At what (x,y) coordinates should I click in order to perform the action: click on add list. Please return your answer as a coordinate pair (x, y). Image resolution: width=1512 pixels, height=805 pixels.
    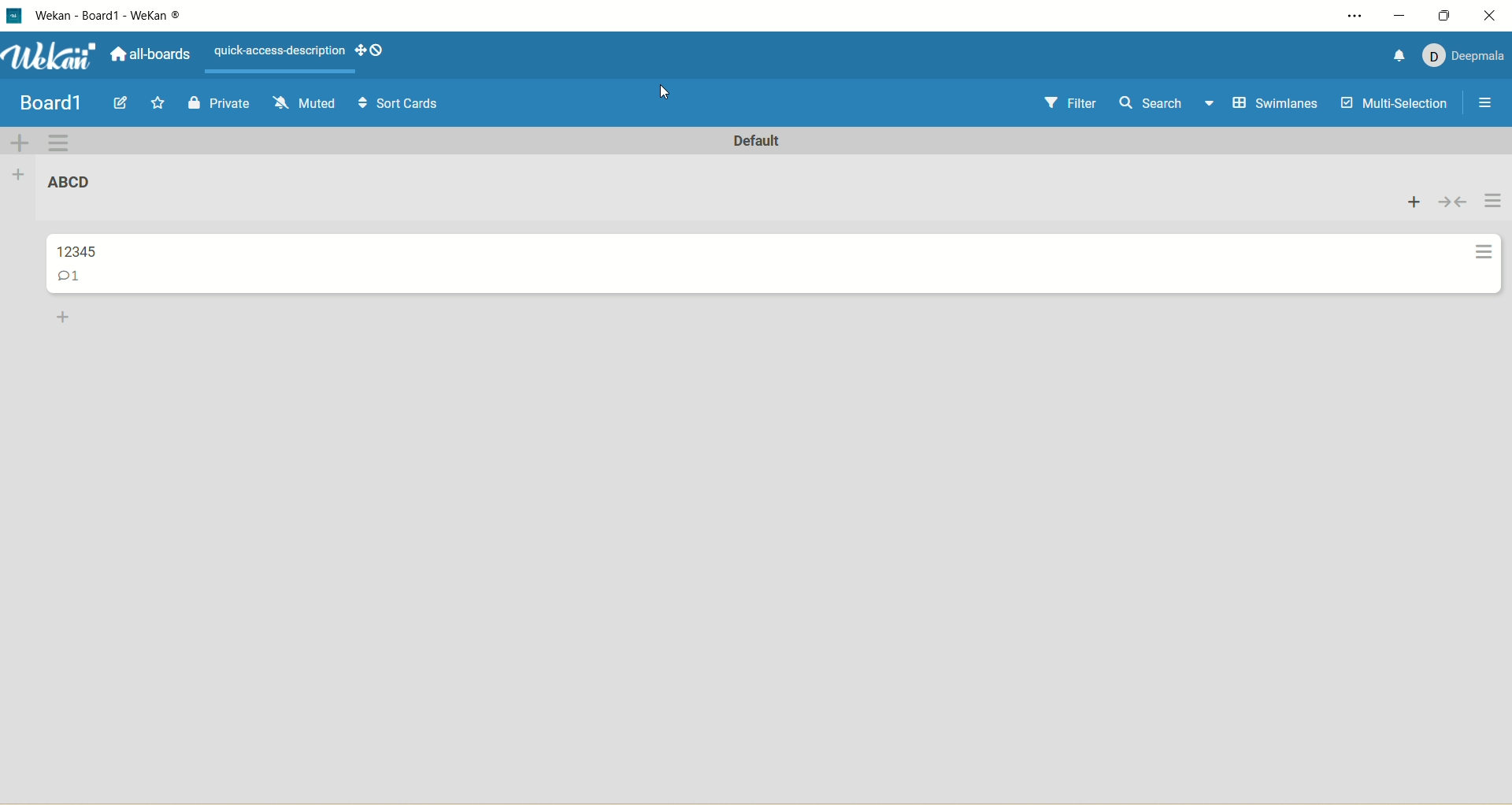
    Looking at the image, I should click on (23, 173).